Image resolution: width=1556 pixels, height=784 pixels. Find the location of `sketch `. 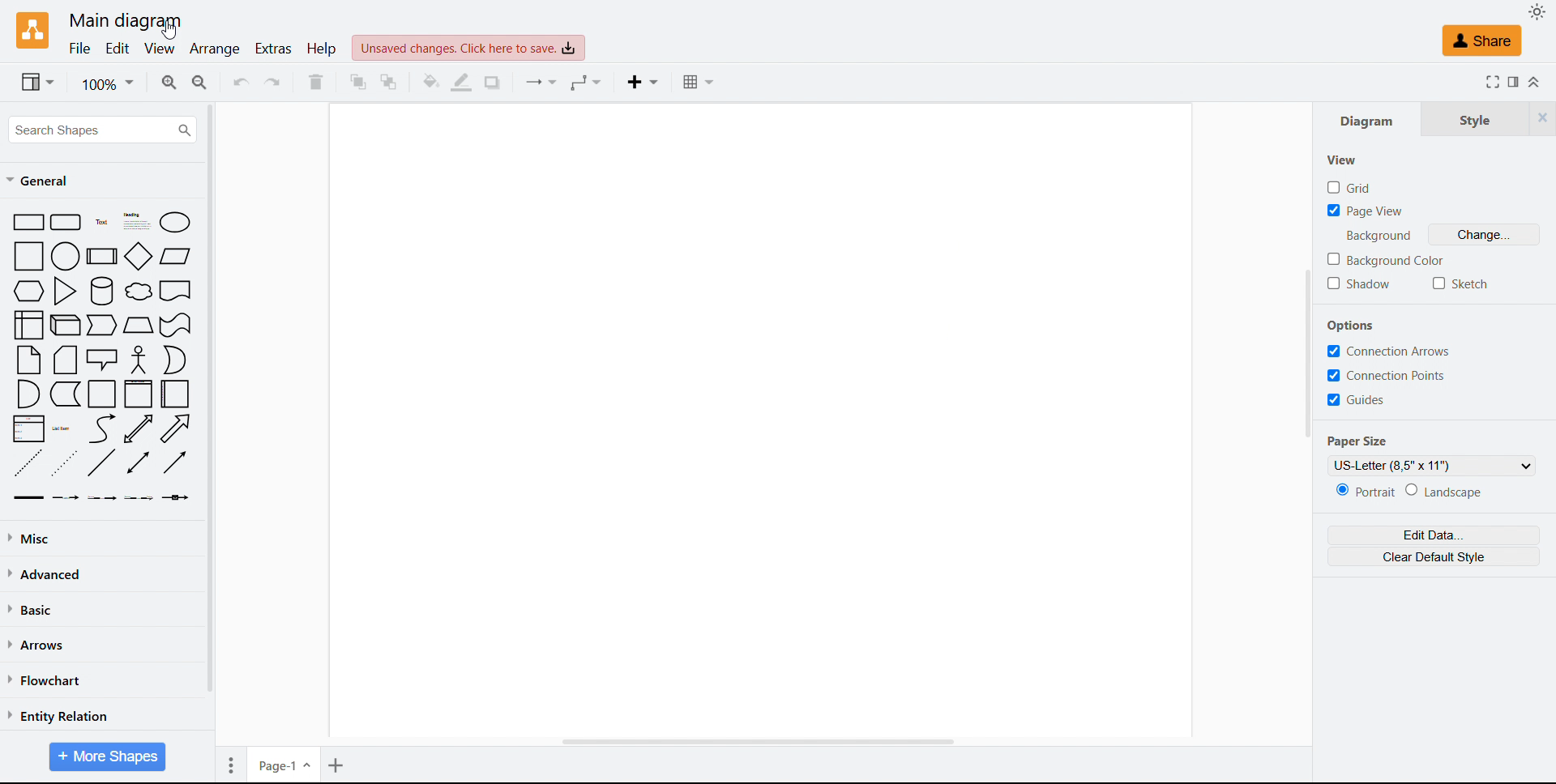

sketch  is located at coordinates (1460, 284).